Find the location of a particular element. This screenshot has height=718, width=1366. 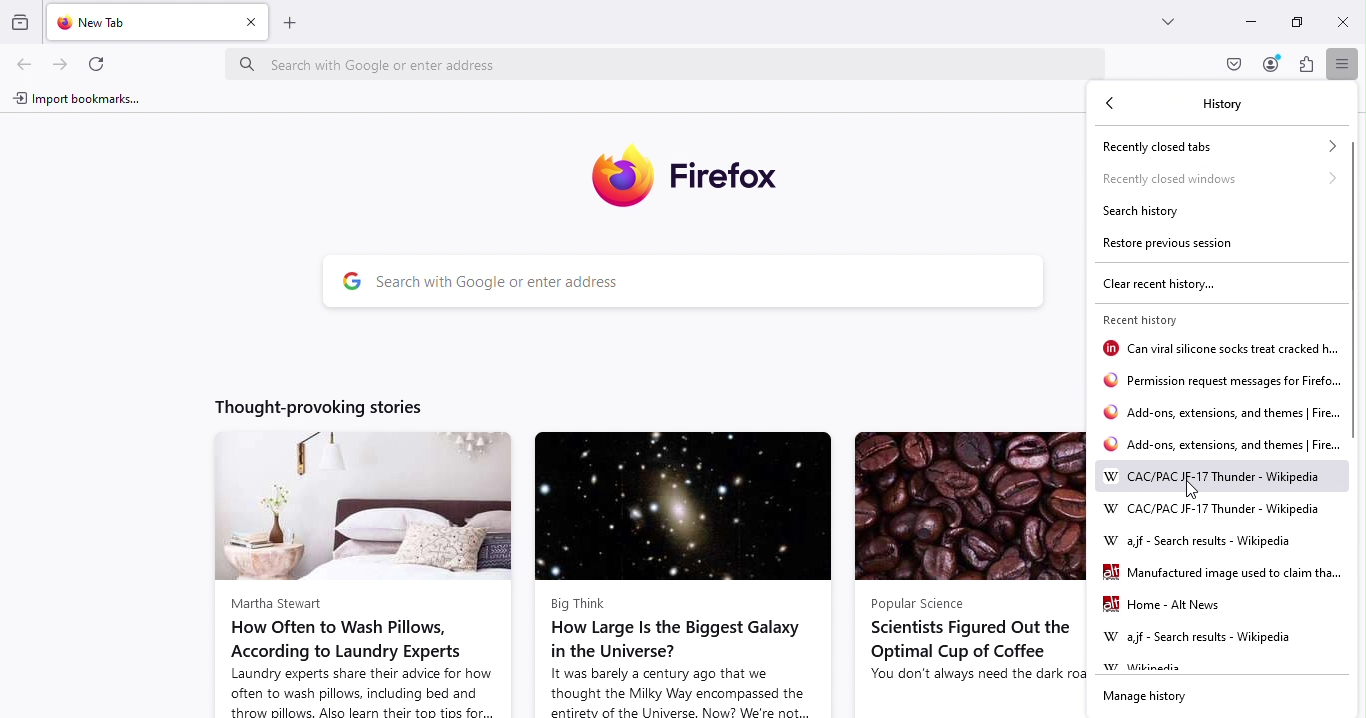

webpage link is located at coordinates (1211, 478).